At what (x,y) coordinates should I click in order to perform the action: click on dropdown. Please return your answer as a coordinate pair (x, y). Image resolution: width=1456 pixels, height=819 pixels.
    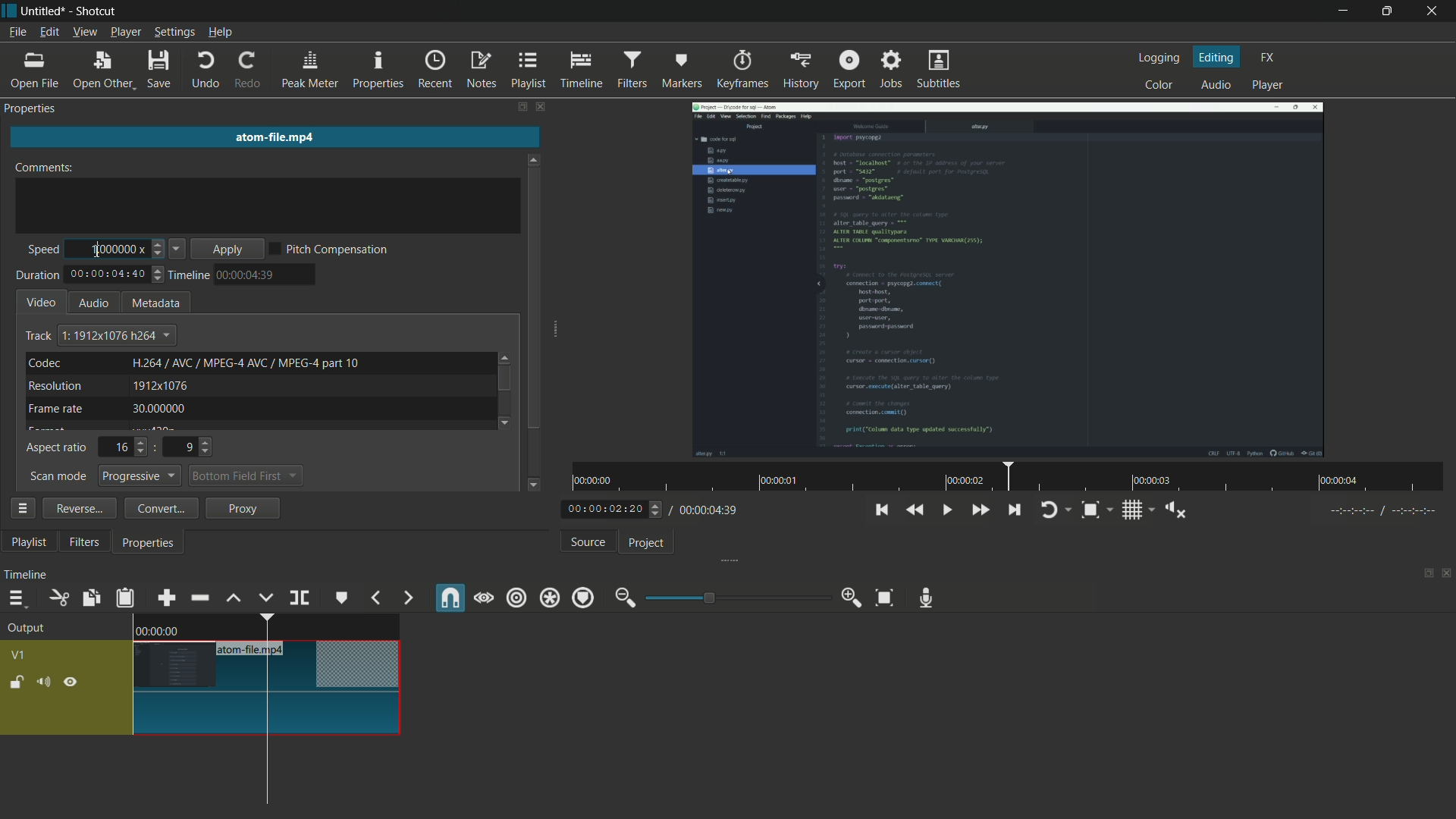
    Looking at the image, I should click on (293, 477).